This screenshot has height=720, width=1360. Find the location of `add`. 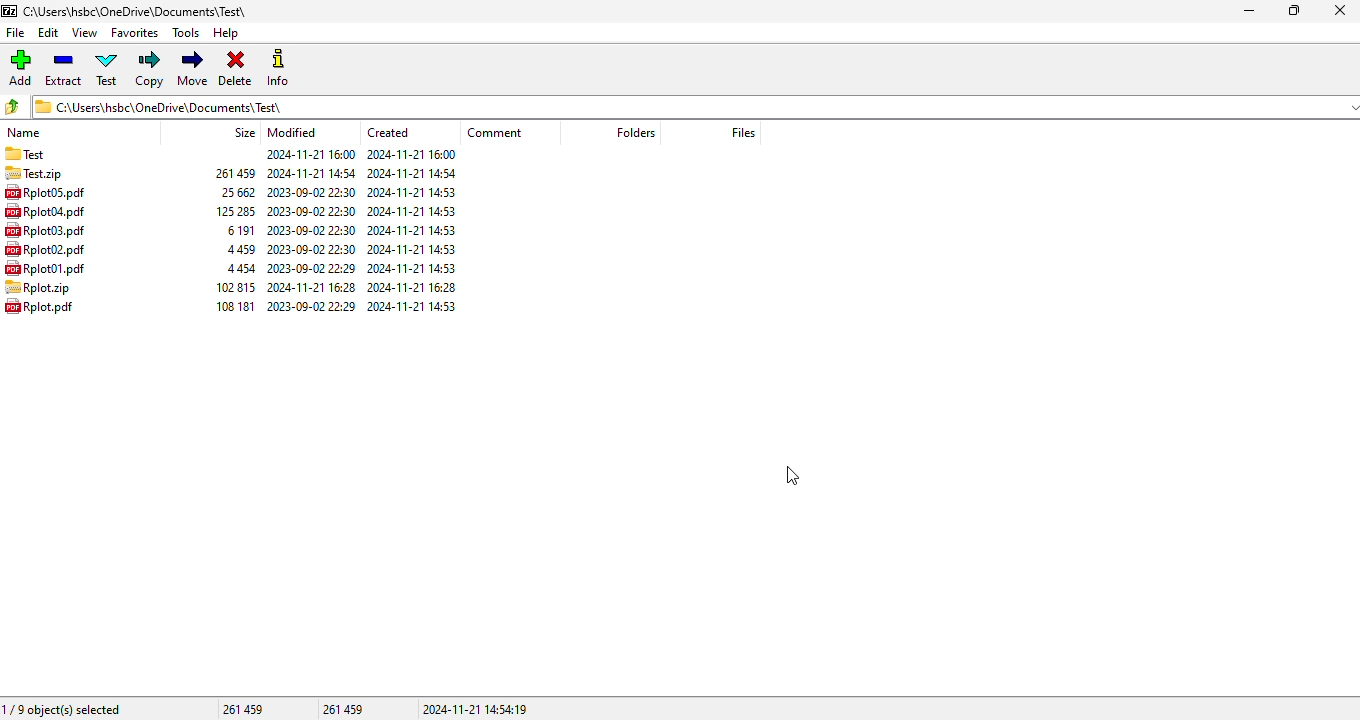

add is located at coordinates (21, 68).